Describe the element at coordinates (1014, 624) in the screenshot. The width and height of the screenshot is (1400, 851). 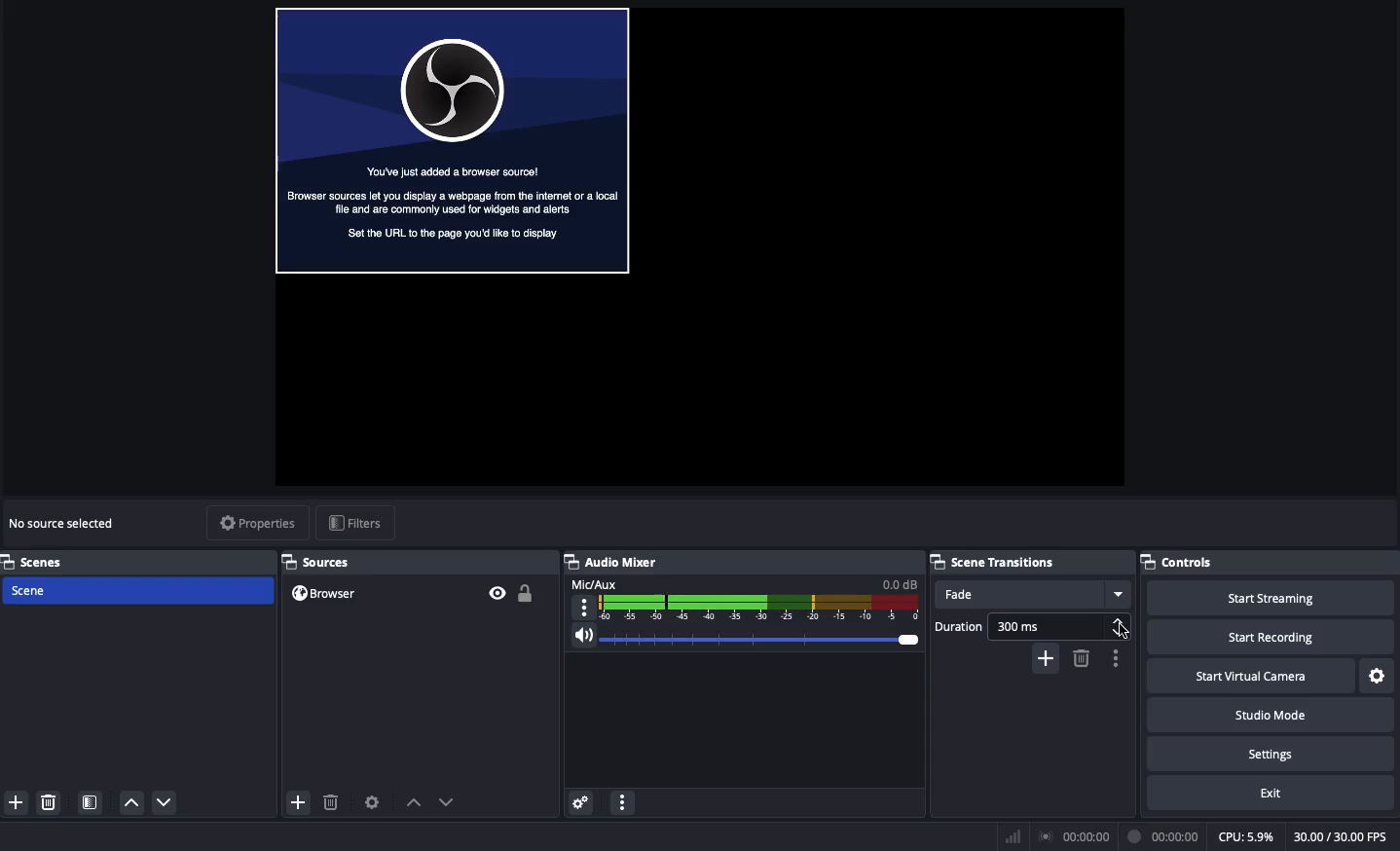
I see `Duration` at that location.